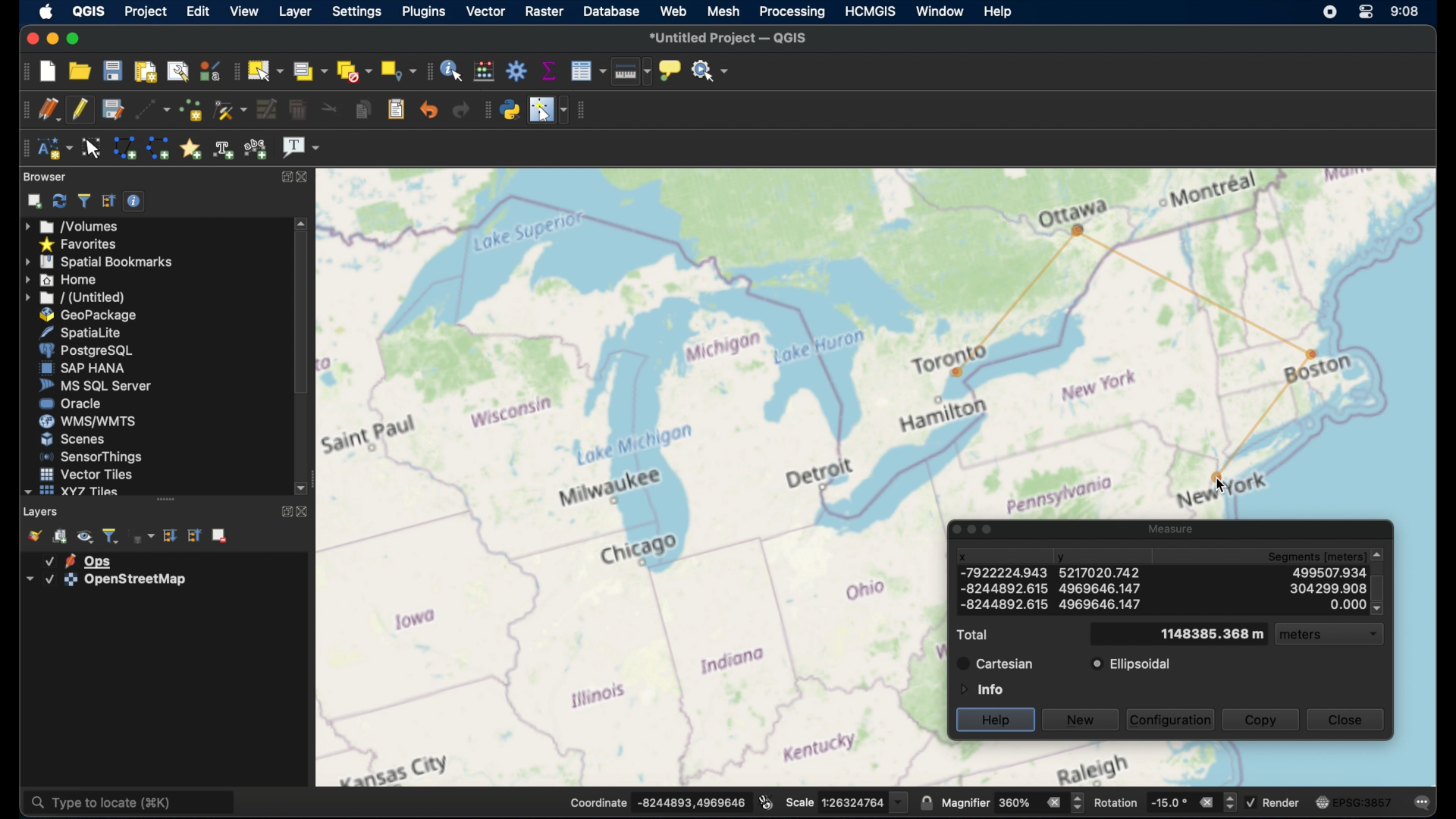  Describe the element at coordinates (766, 801) in the screenshot. I see `toggle extents and mouse position display` at that location.